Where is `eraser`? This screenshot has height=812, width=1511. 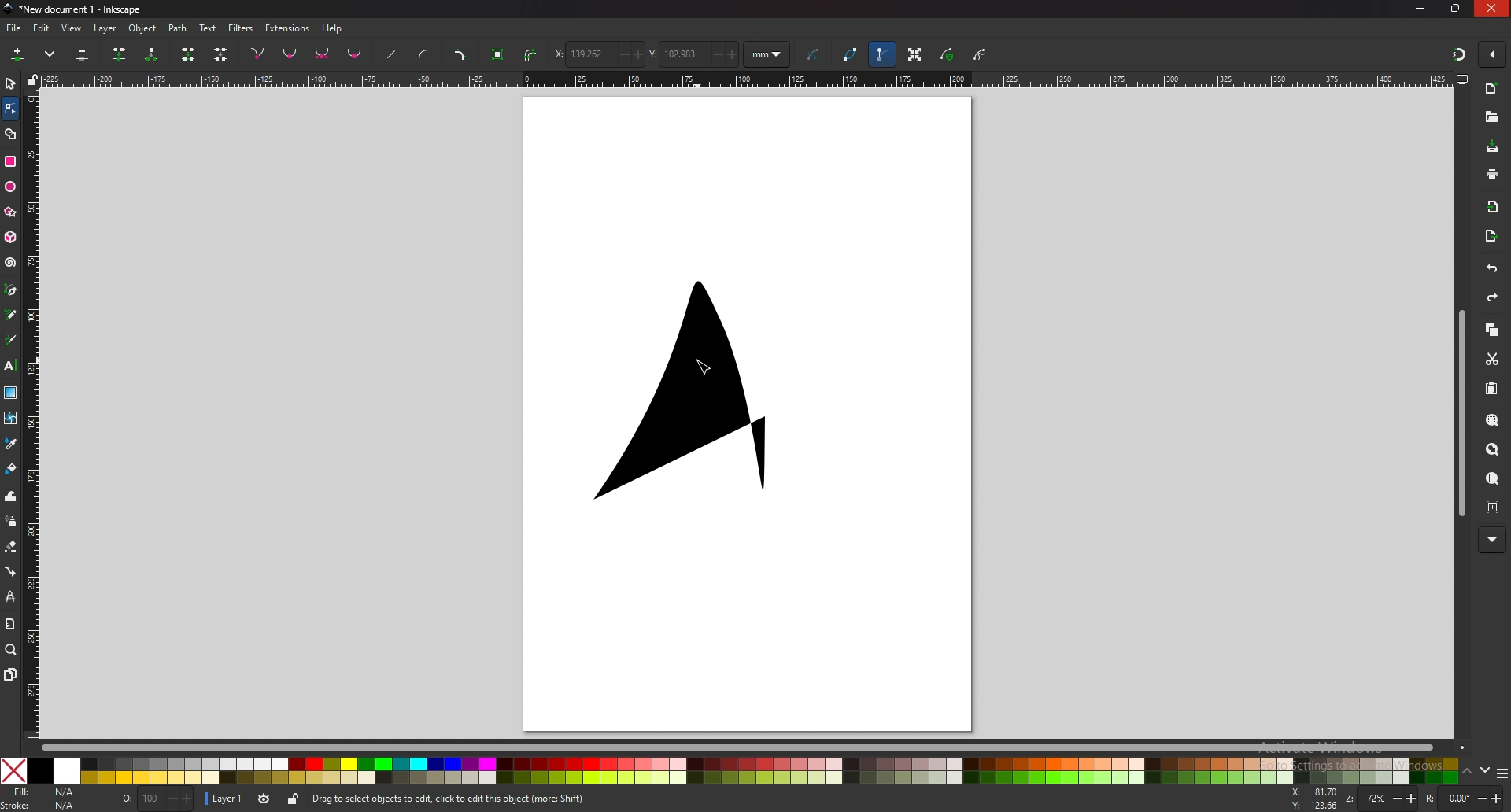 eraser is located at coordinates (12, 547).